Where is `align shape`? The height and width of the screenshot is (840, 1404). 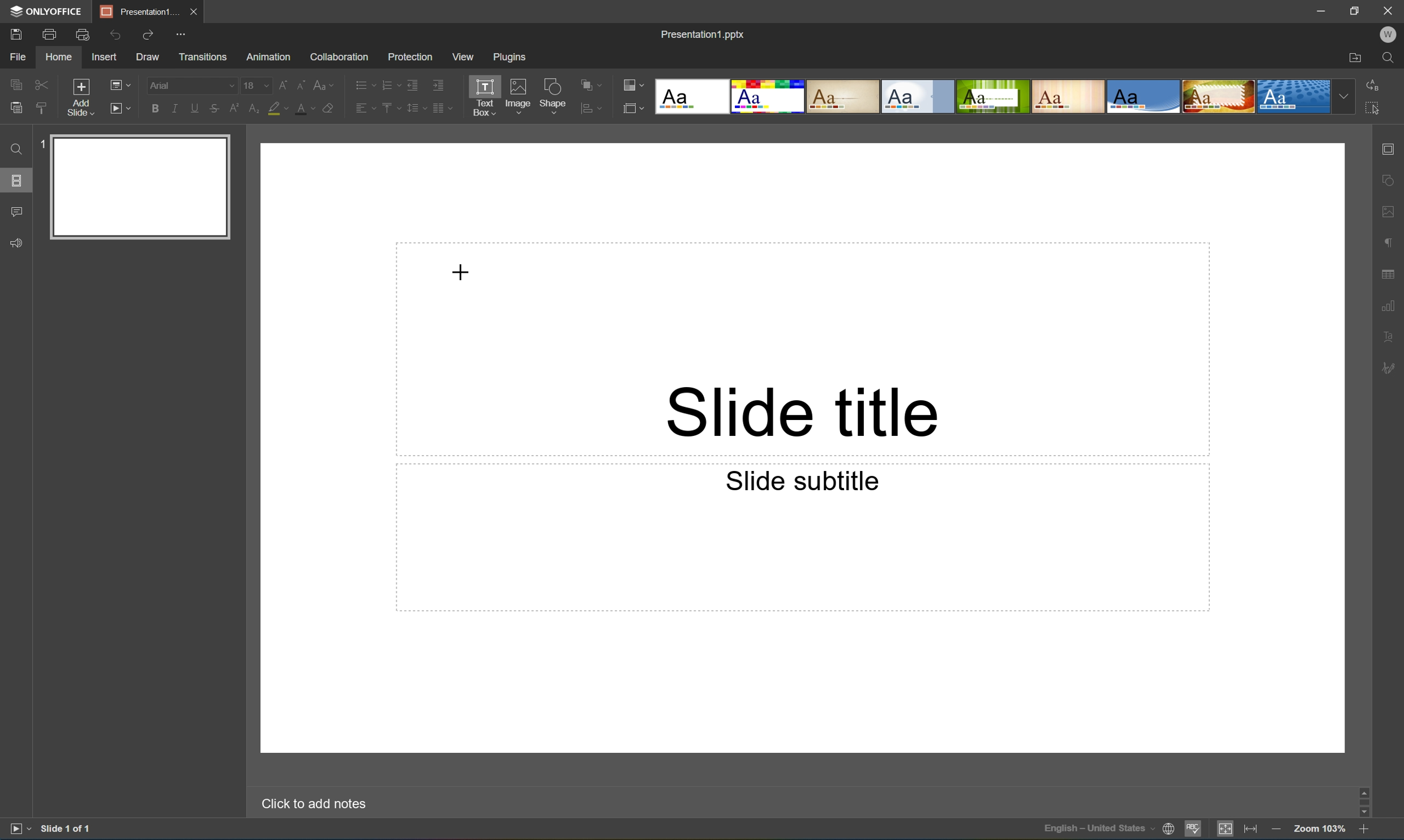 align shape is located at coordinates (593, 109).